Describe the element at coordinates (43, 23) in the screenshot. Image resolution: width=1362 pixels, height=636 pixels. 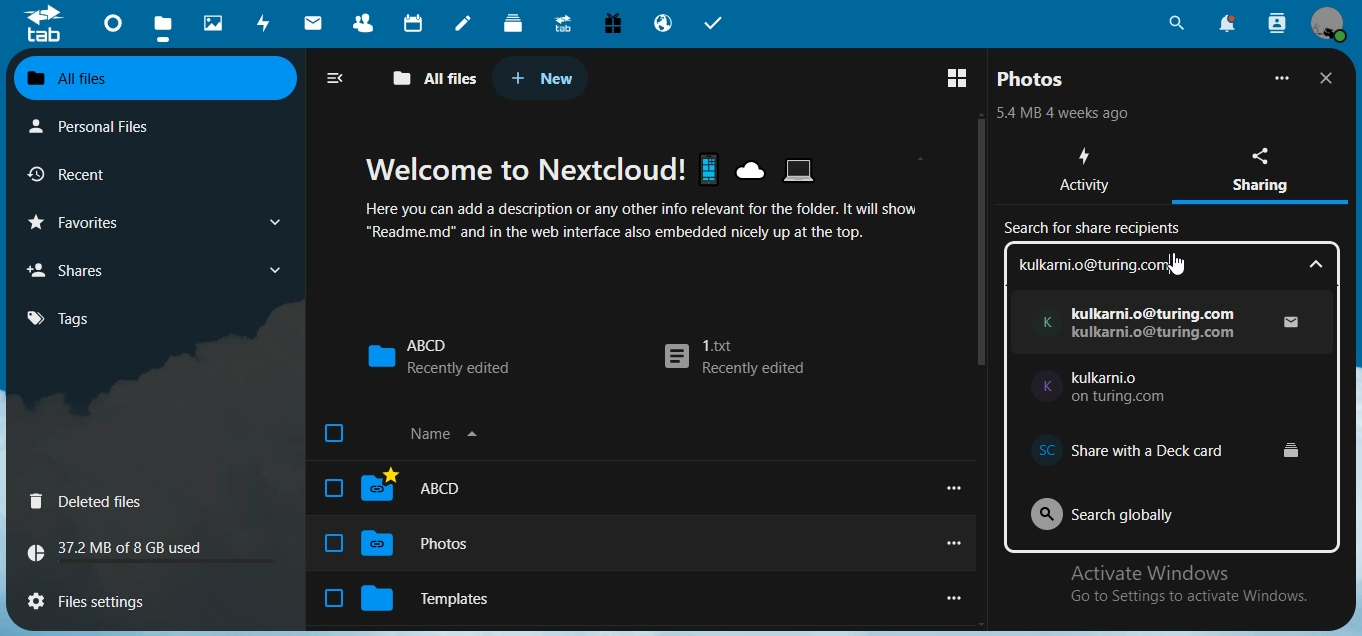
I see `icon` at that location.